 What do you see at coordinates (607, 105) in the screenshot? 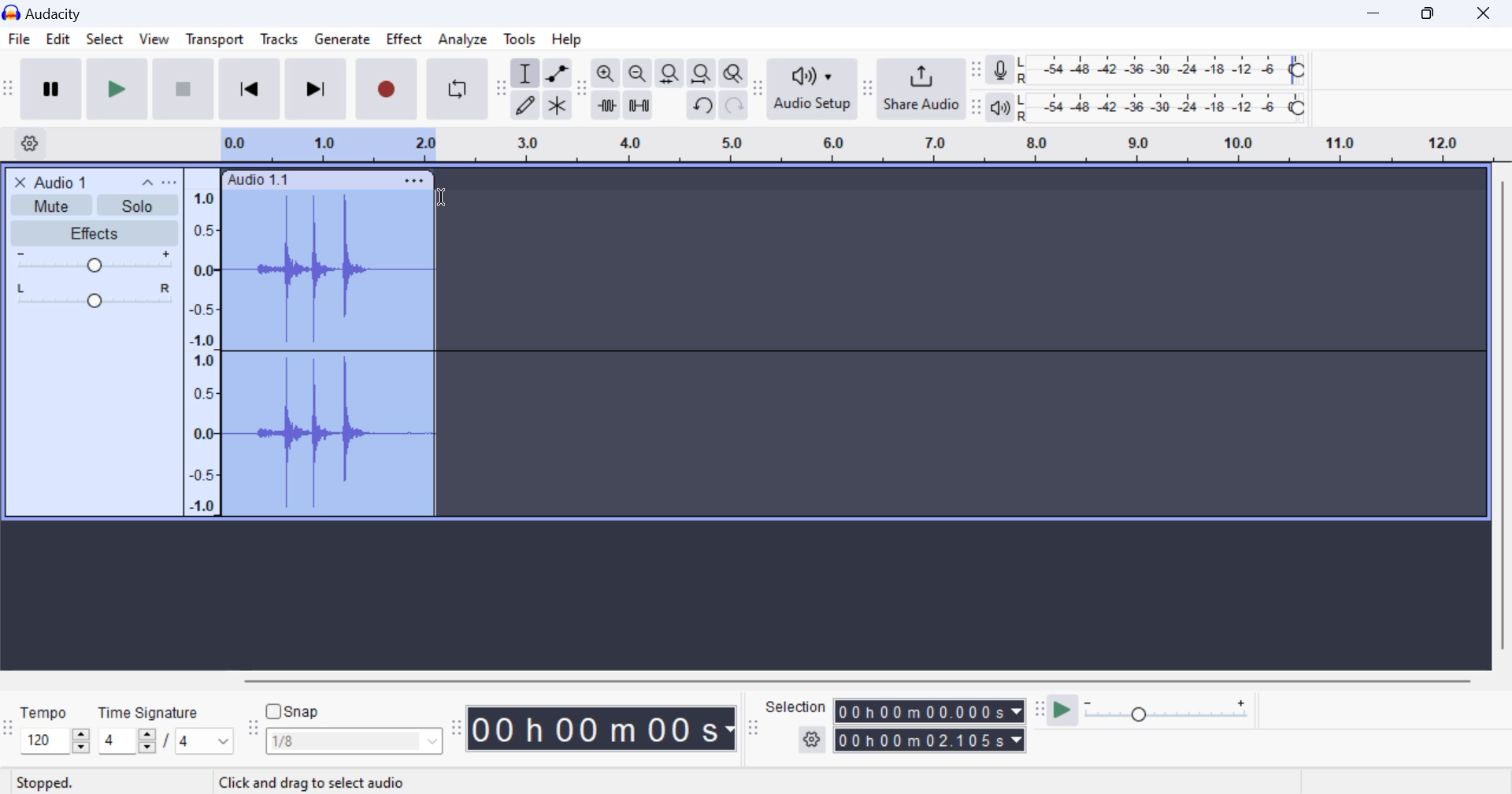
I see `trim audio outside select` at bounding box center [607, 105].